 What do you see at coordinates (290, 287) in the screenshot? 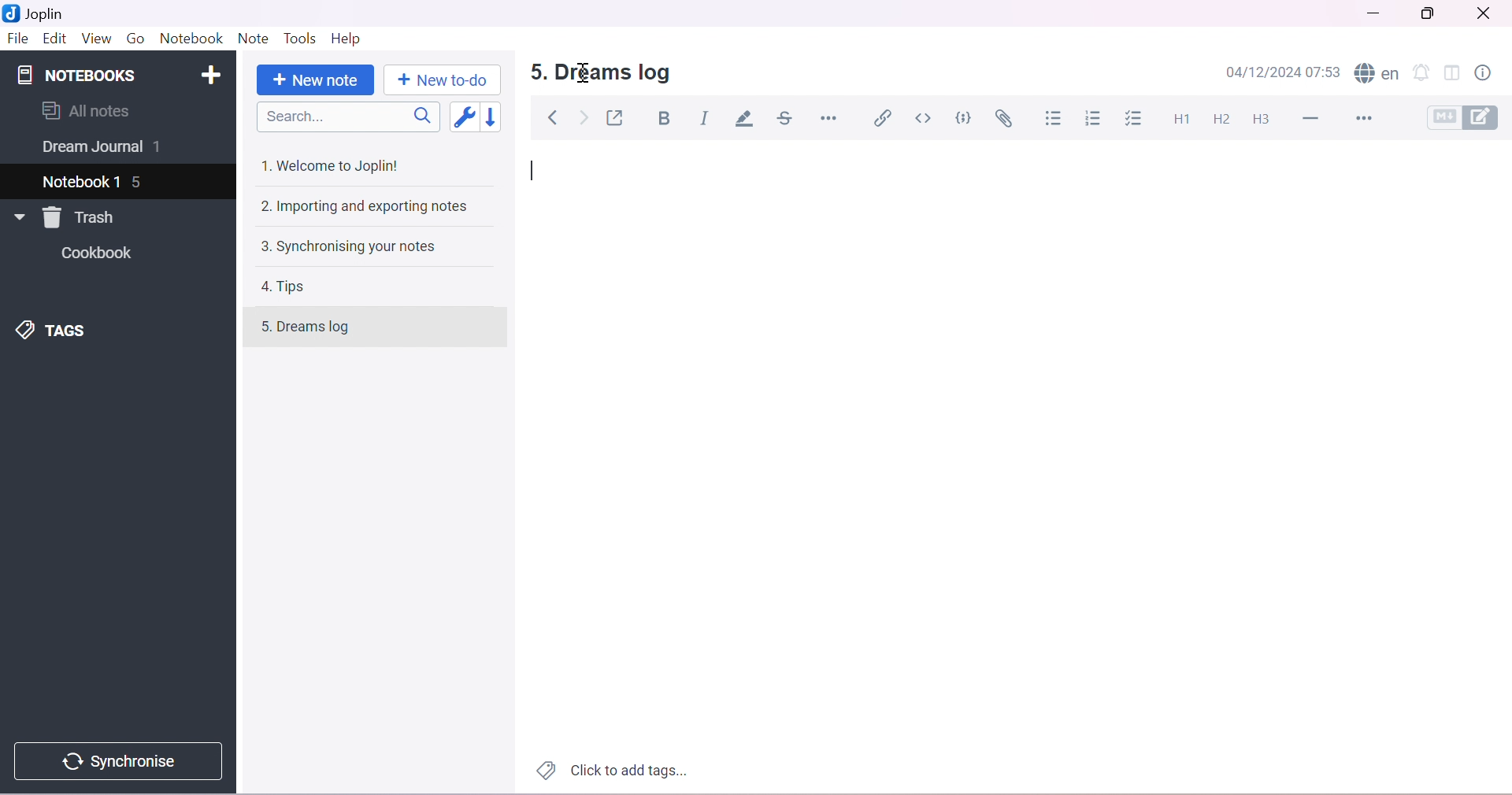
I see `4. Tips` at bounding box center [290, 287].